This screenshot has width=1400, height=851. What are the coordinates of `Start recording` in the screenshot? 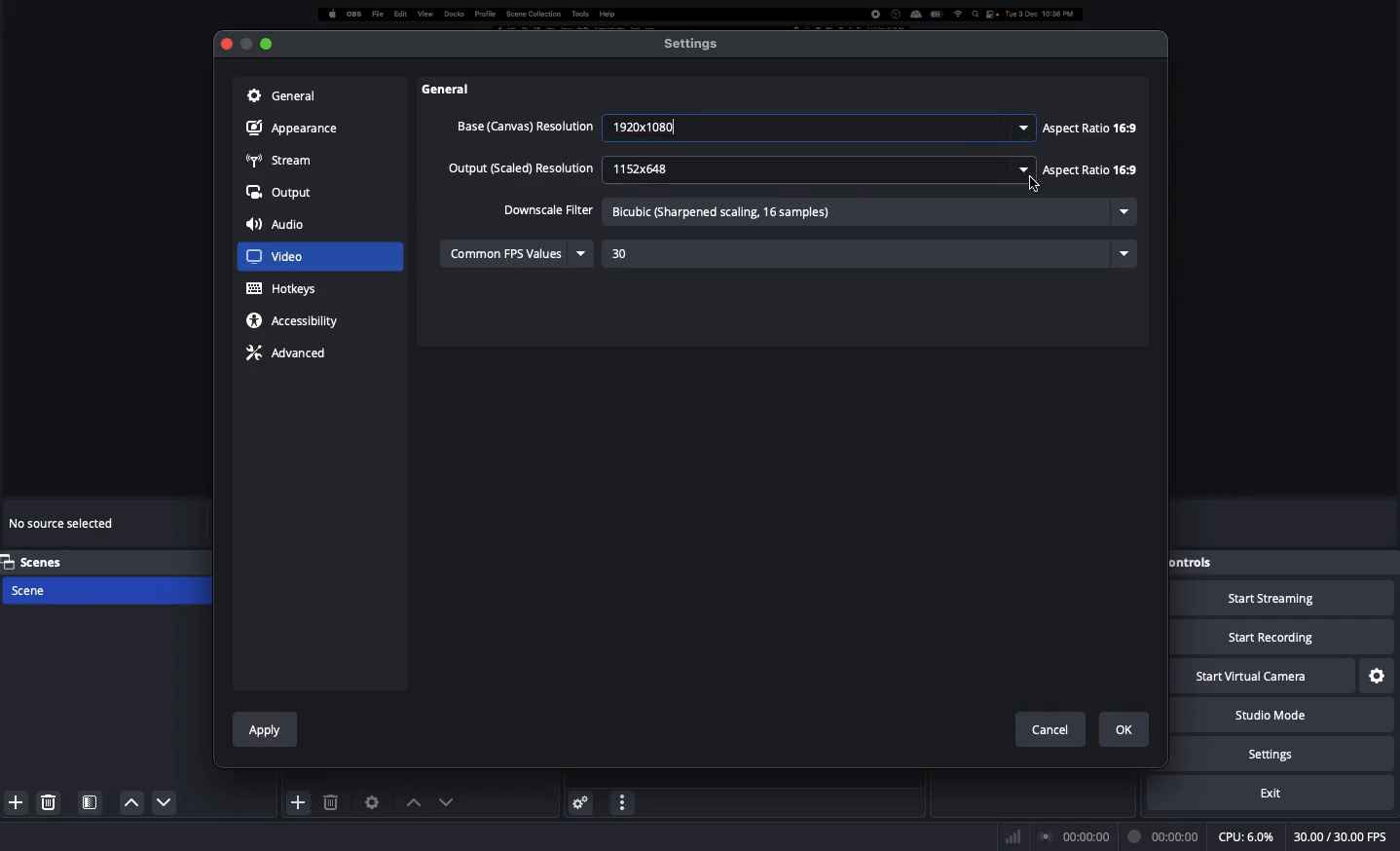 It's located at (1283, 639).